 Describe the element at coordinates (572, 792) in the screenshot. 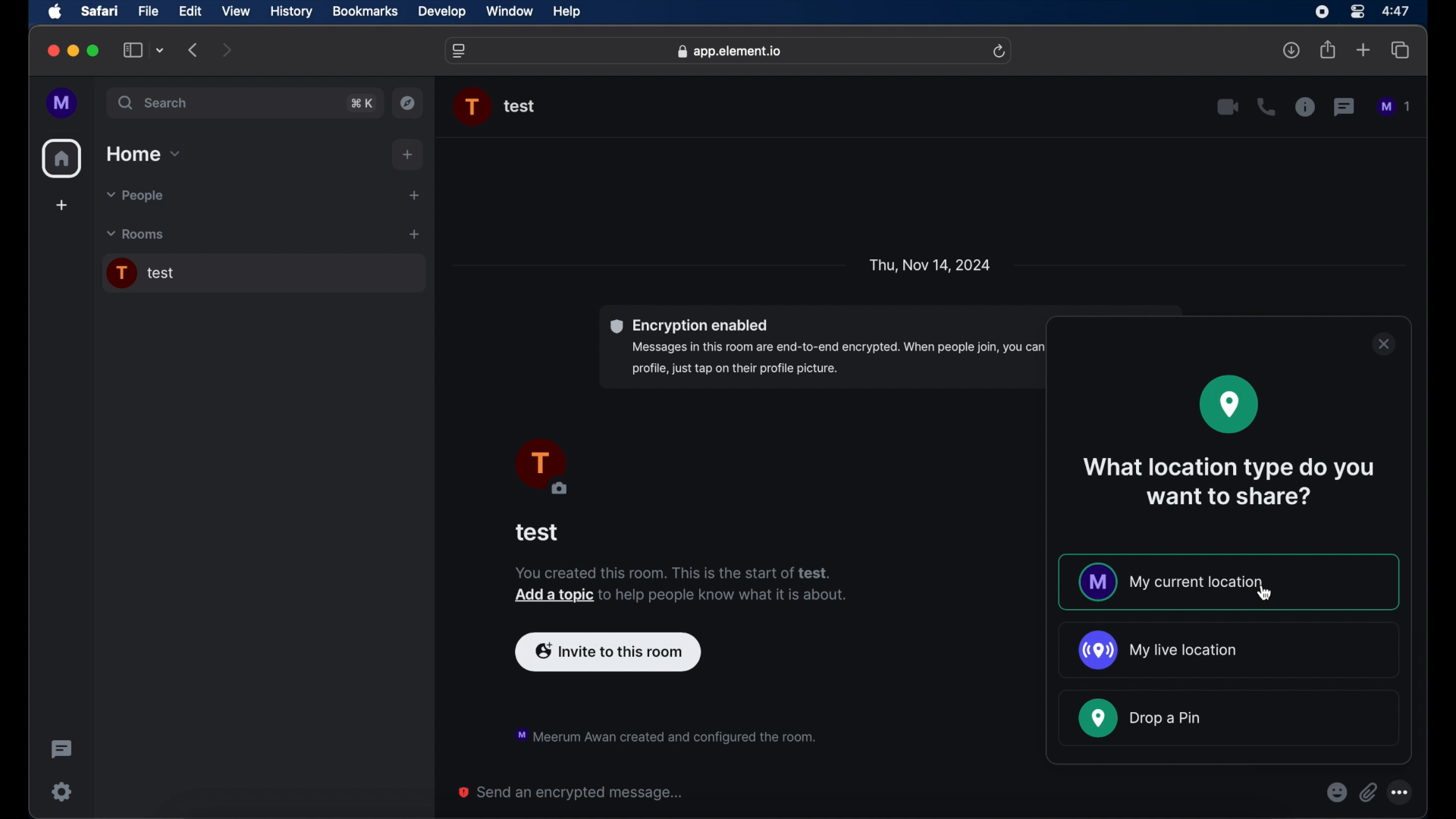

I see `send an encrypted message...` at that location.